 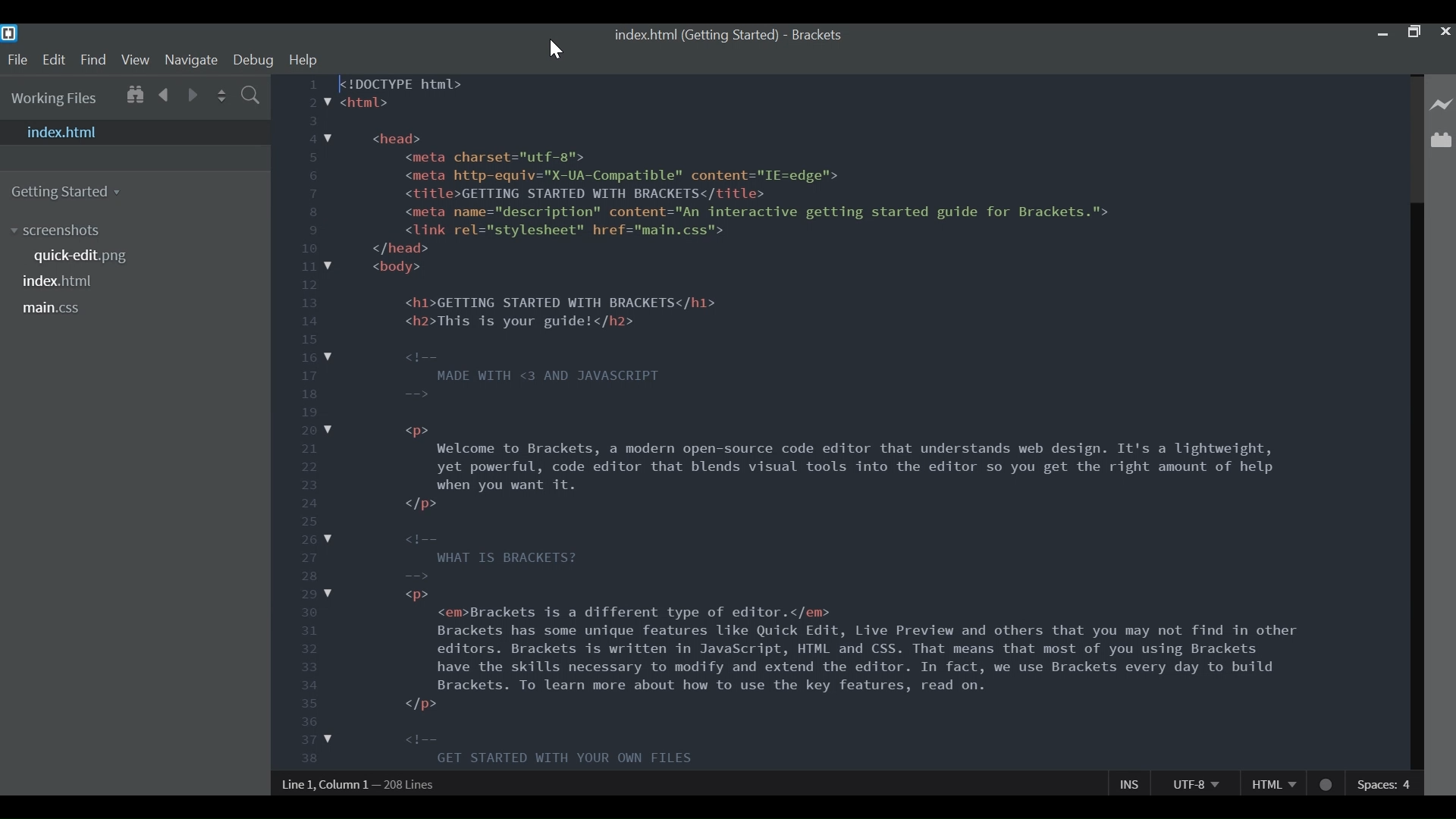 What do you see at coordinates (1325, 782) in the screenshot?
I see `Network connectivity icon` at bounding box center [1325, 782].